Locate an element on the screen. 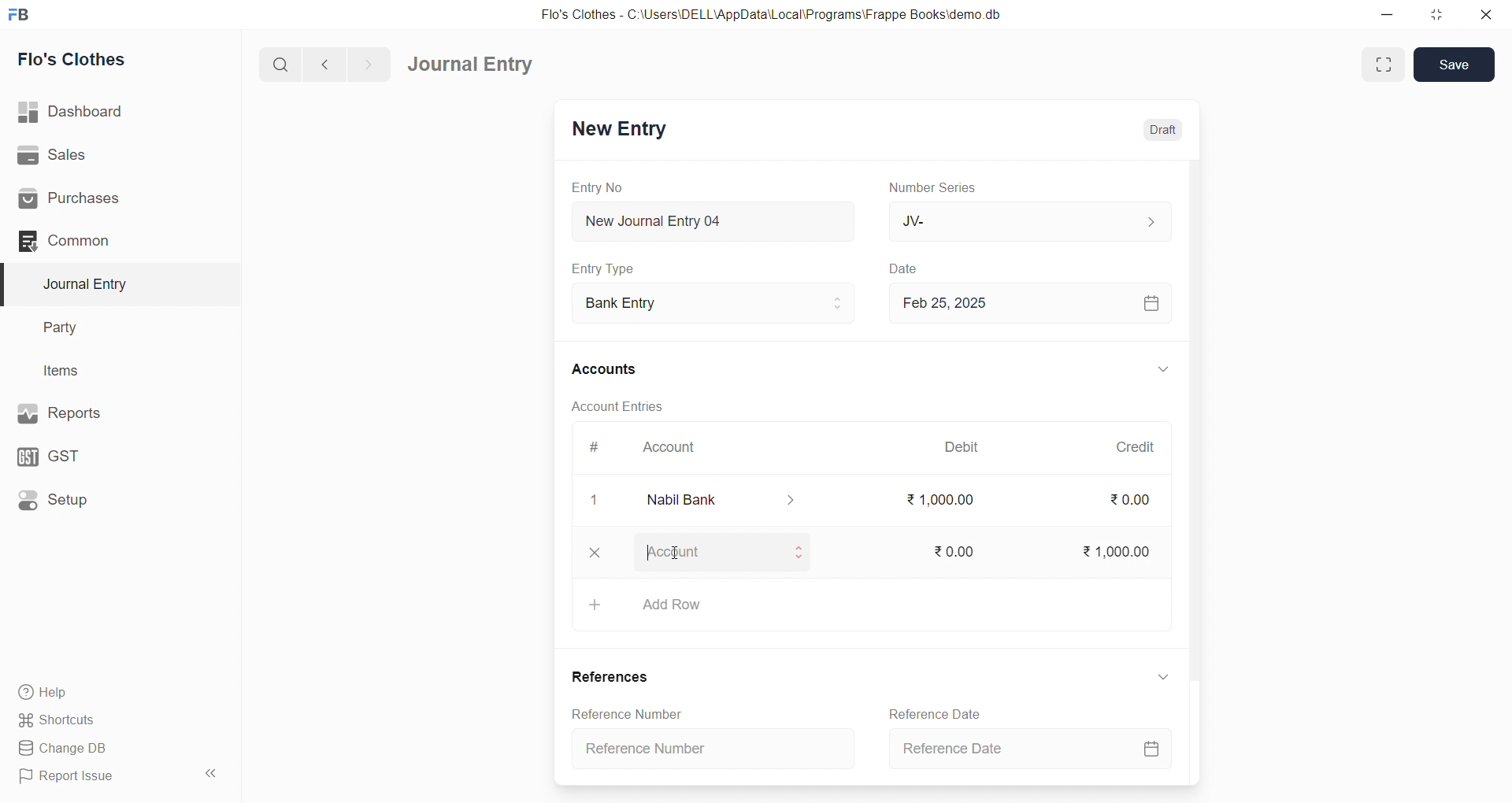 The image size is (1512, 803). Common is located at coordinates (106, 240).